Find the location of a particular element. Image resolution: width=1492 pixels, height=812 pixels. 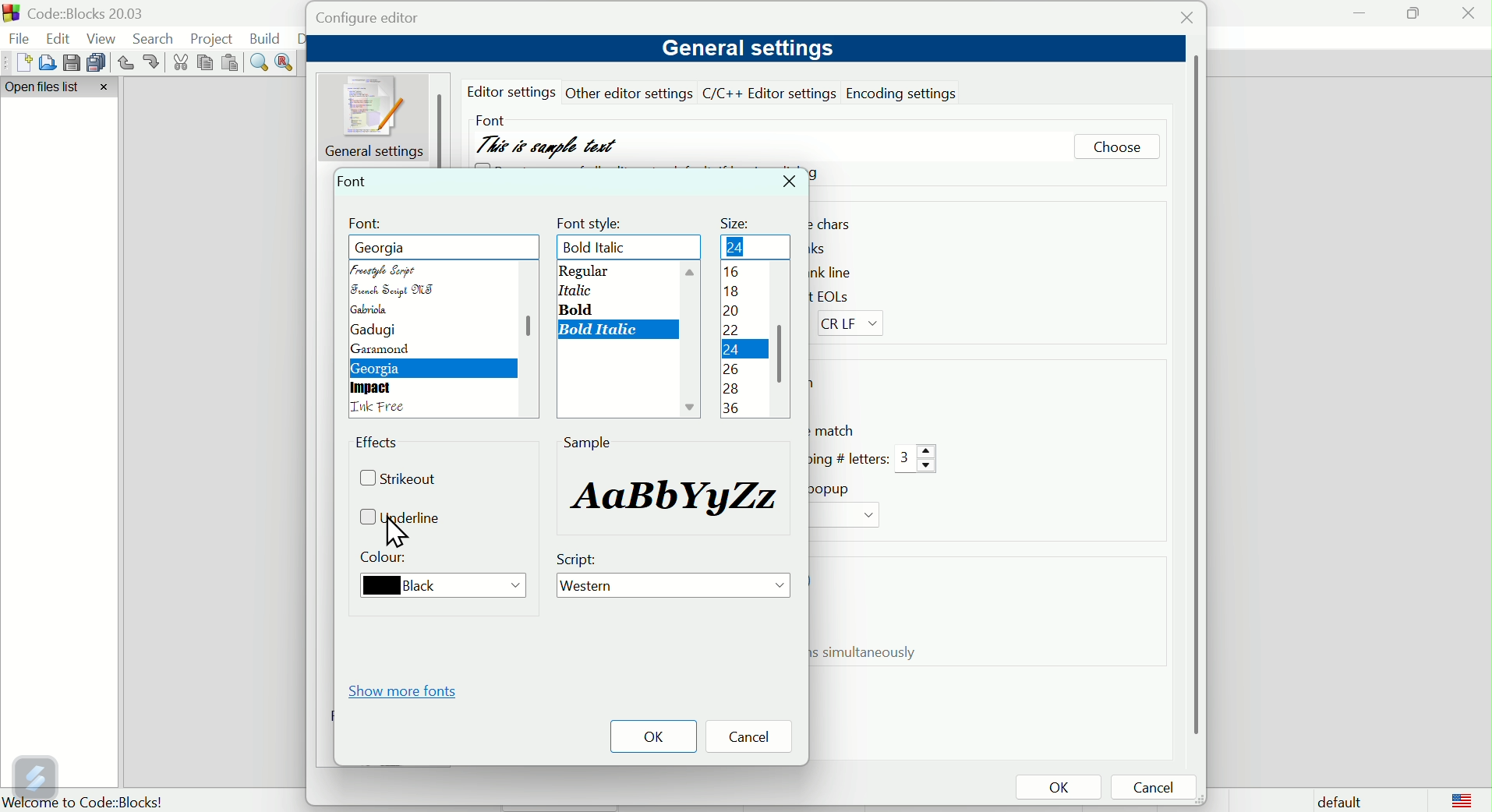

Open file is located at coordinates (44, 62).